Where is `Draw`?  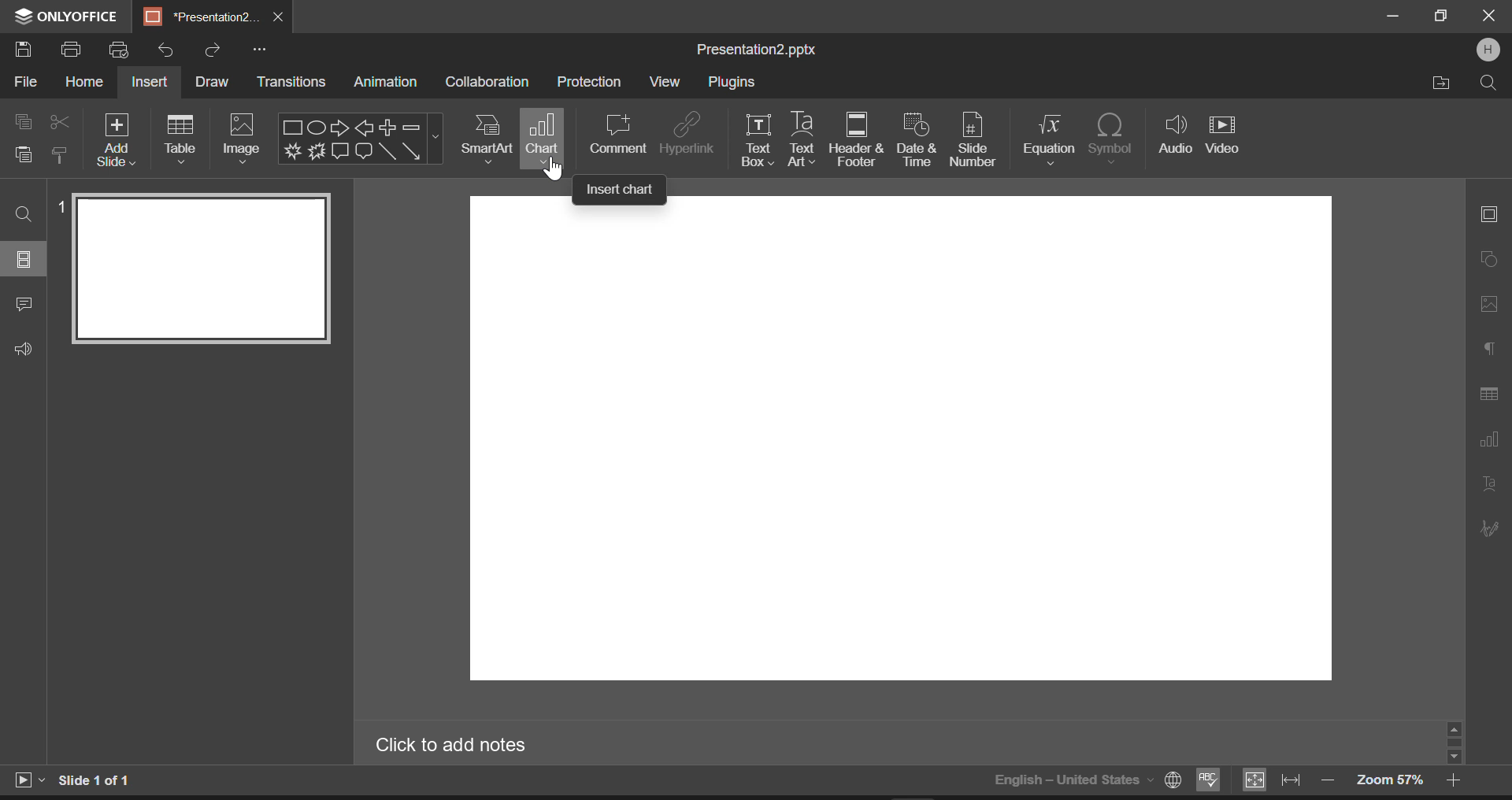 Draw is located at coordinates (213, 81).